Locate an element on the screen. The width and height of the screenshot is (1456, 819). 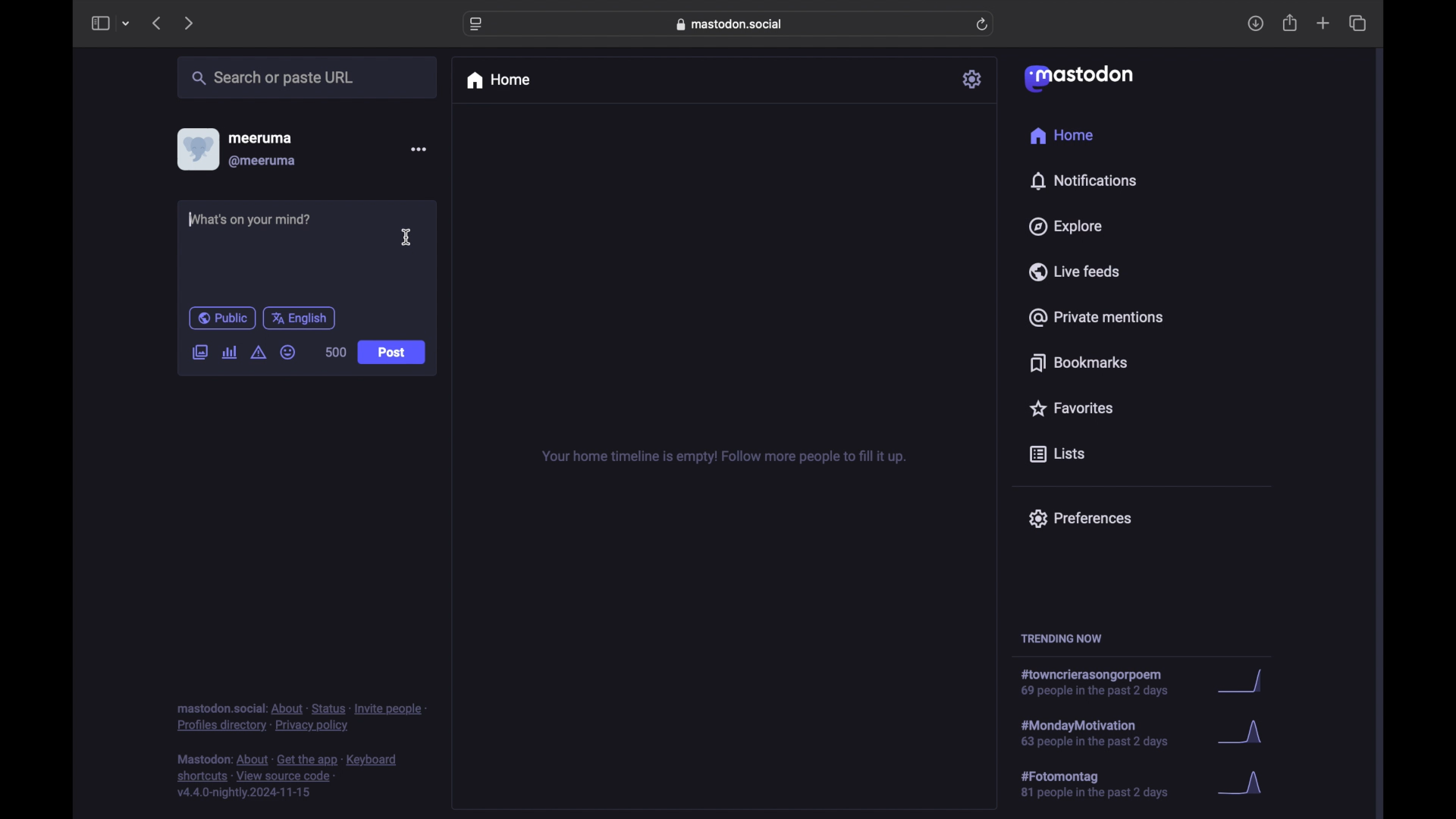
show tab overview is located at coordinates (1357, 24).